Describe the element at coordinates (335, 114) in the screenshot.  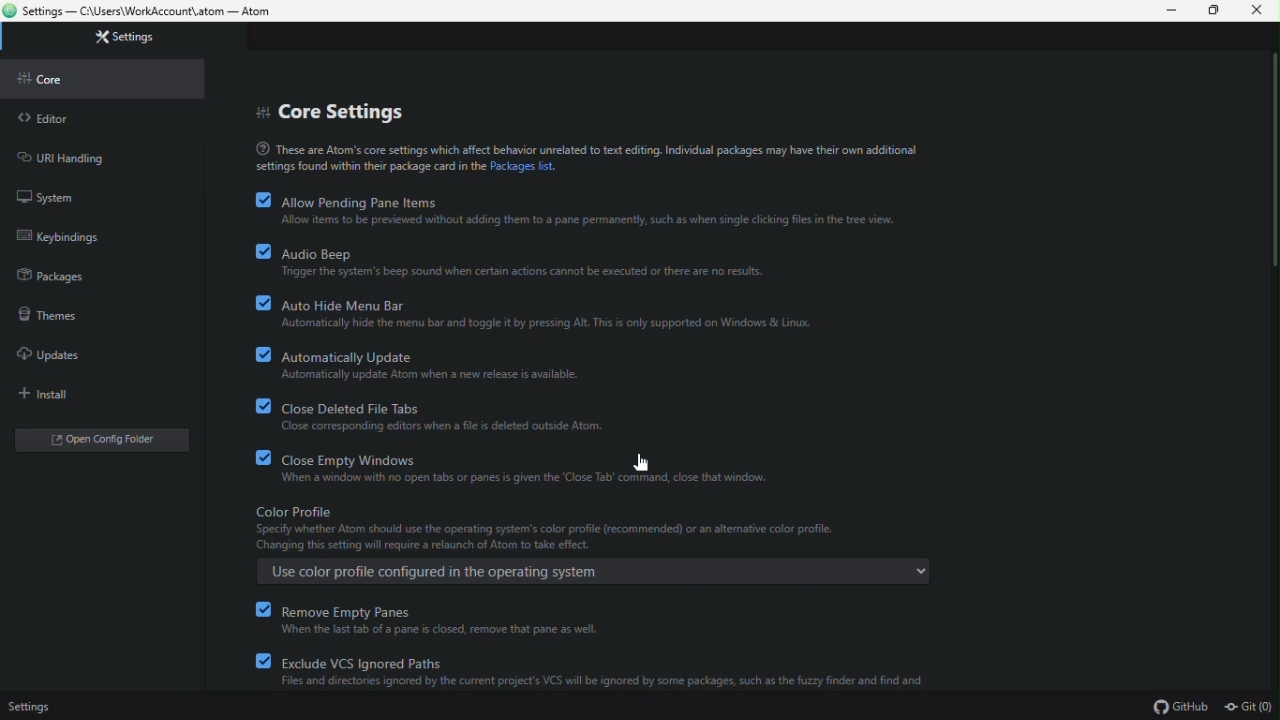
I see `core settings` at that location.